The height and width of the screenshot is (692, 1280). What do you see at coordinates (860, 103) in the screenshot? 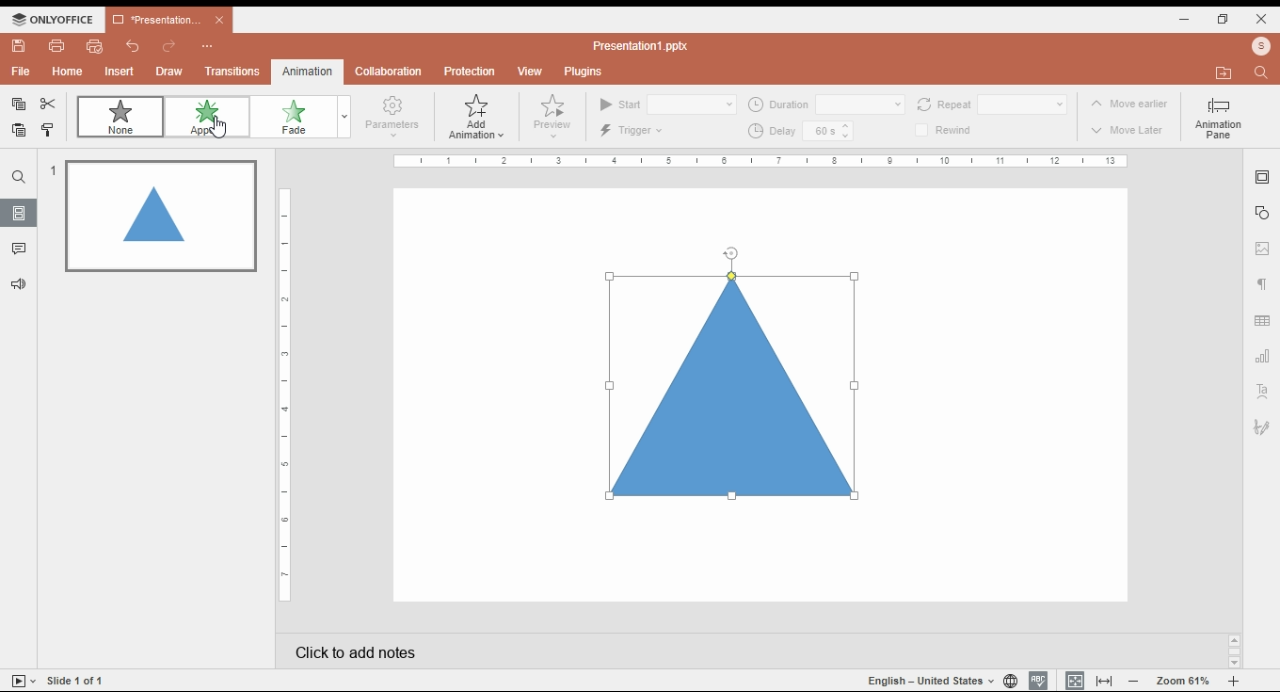
I see `duration ` at bounding box center [860, 103].